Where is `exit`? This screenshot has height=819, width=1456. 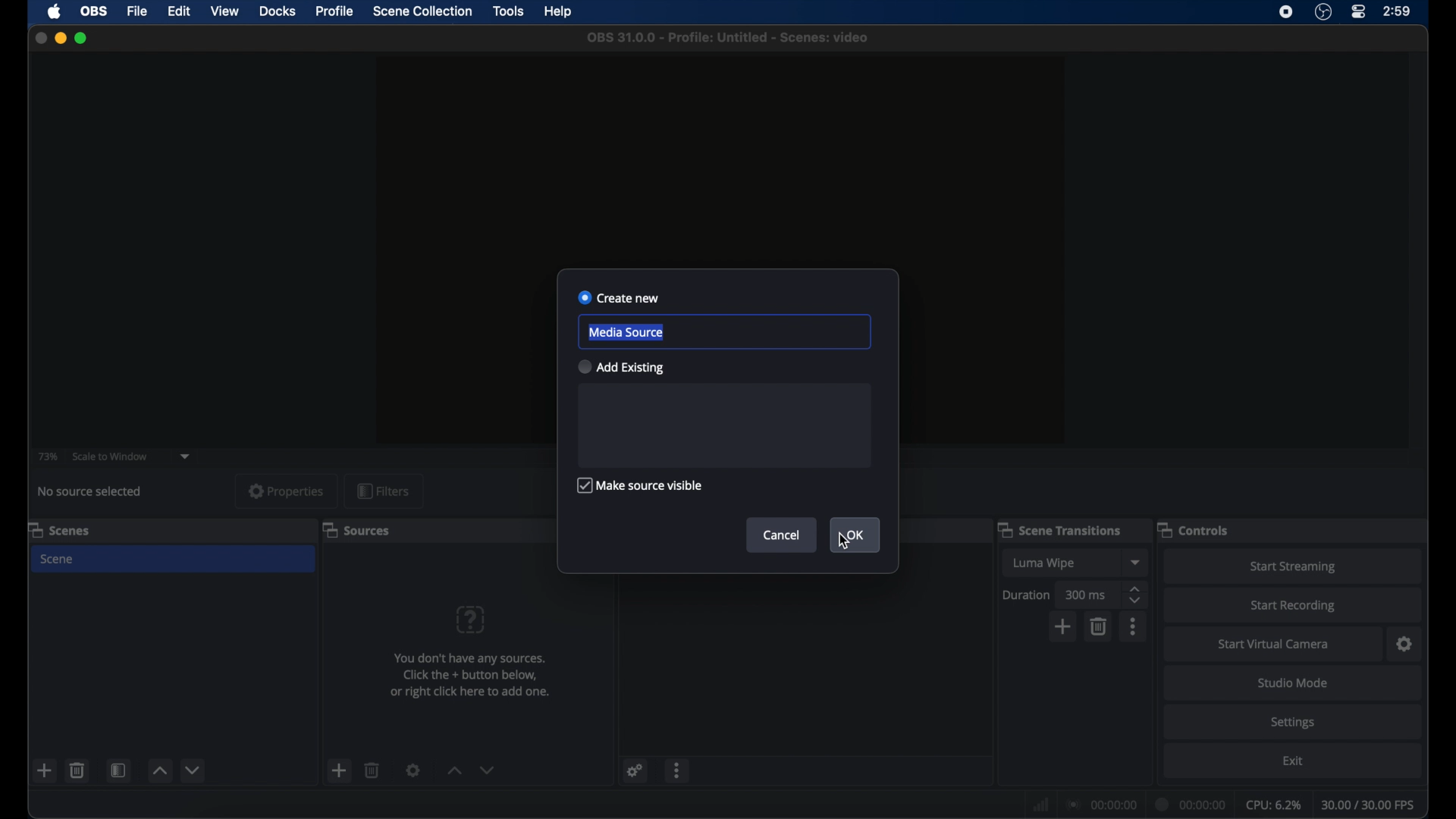
exit is located at coordinates (1294, 761).